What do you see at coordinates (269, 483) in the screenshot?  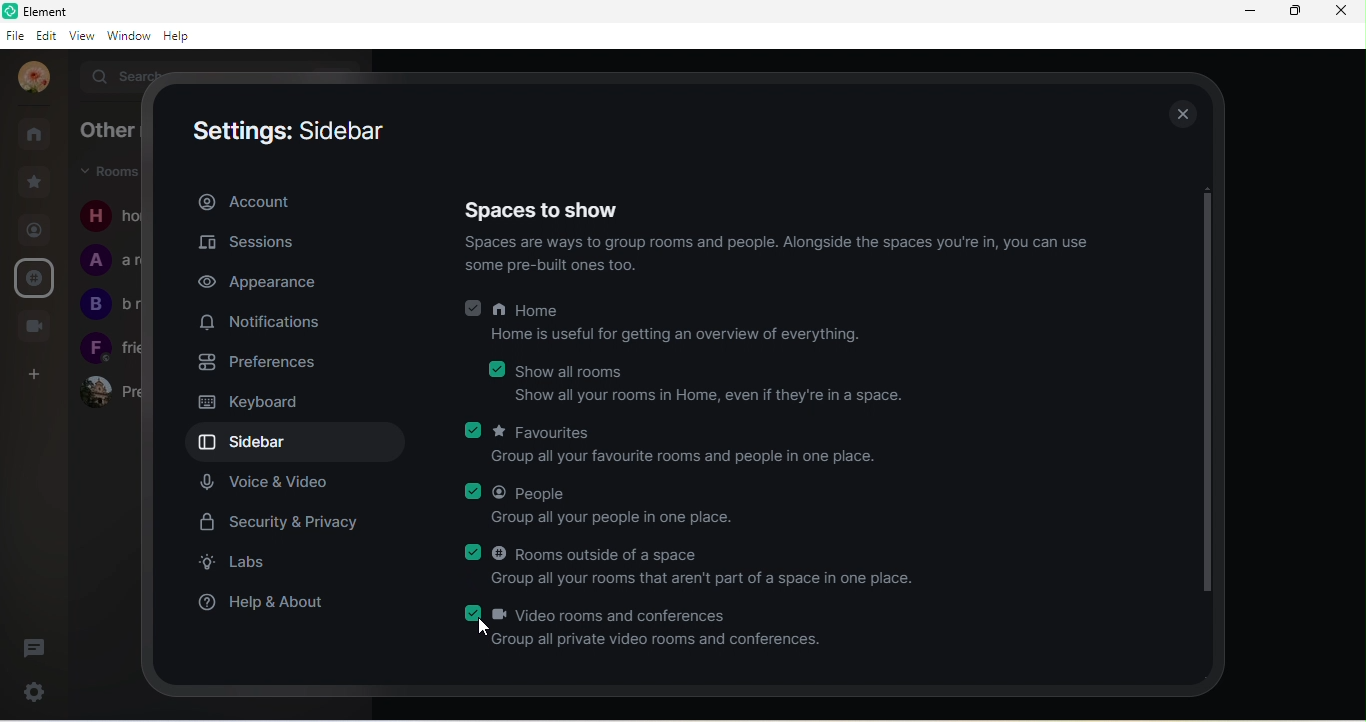 I see `voice and video` at bounding box center [269, 483].